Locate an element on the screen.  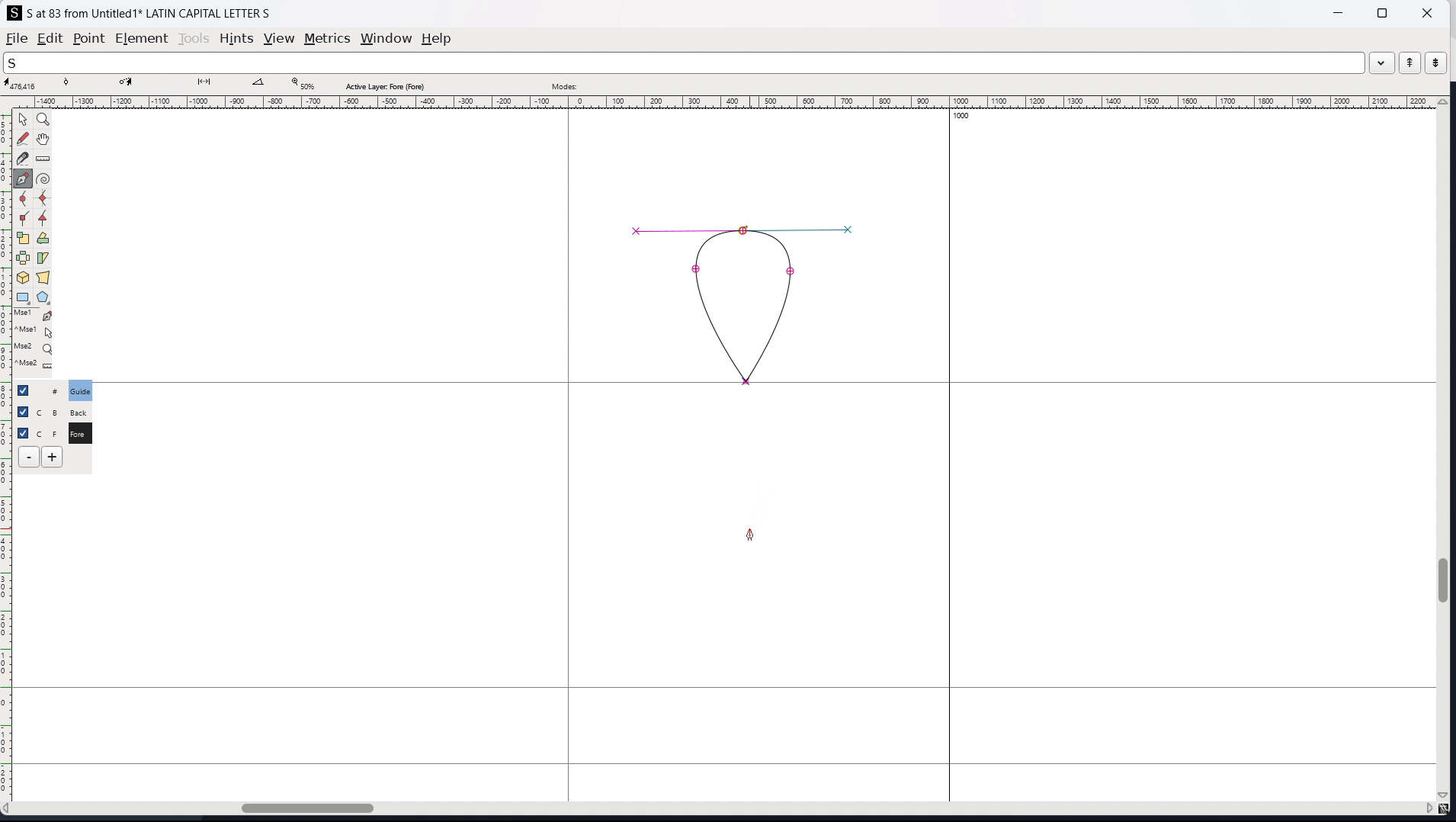
file is located at coordinates (17, 38).